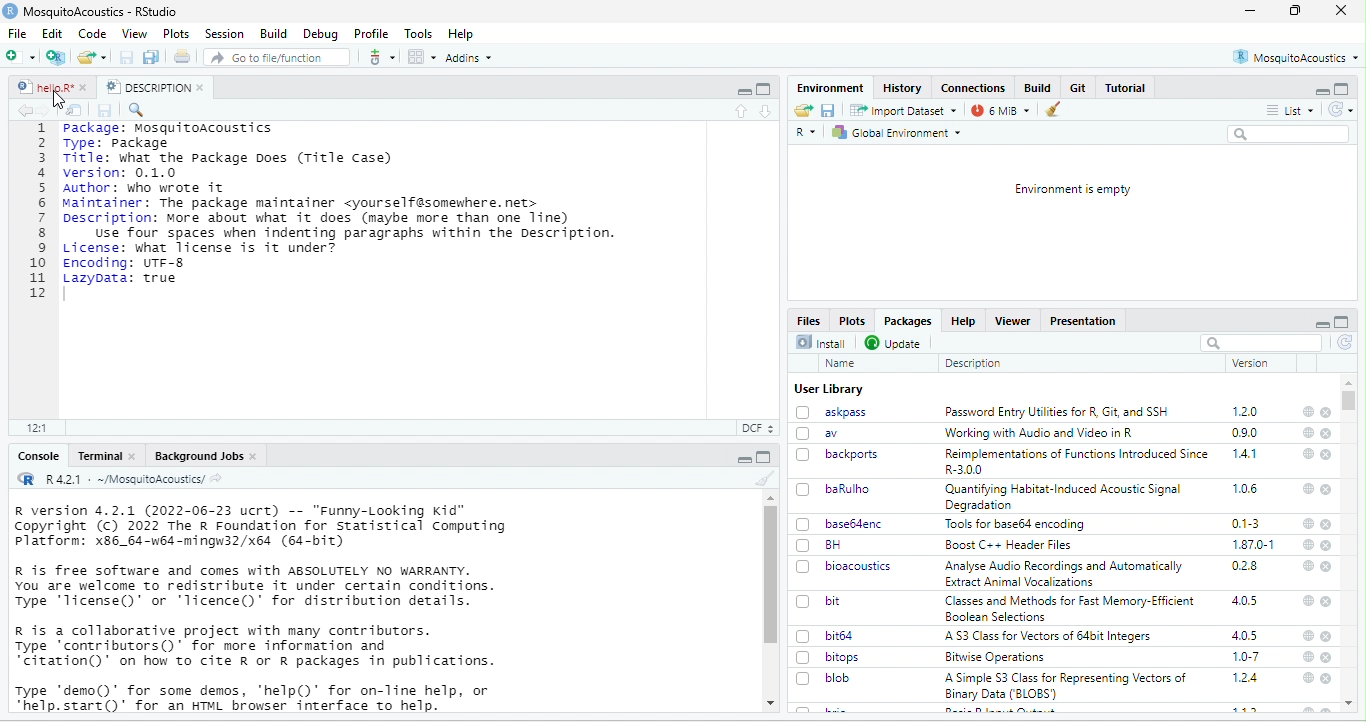 Image resolution: width=1366 pixels, height=722 pixels. What do you see at coordinates (1291, 109) in the screenshot?
I see `List` at bounding box center [1291, 109].